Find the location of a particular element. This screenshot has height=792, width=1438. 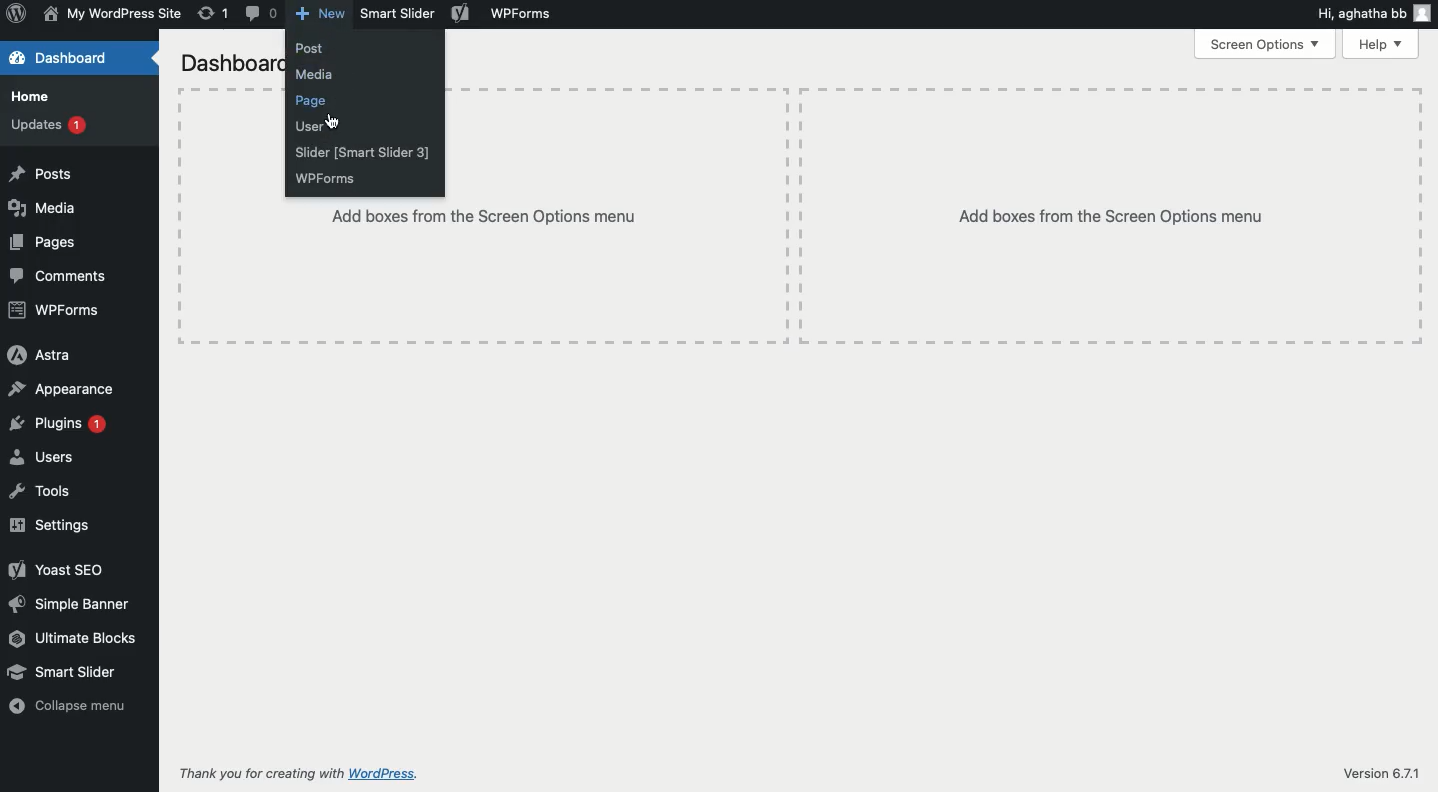

Smart slider is located at coordinates (395, 13).